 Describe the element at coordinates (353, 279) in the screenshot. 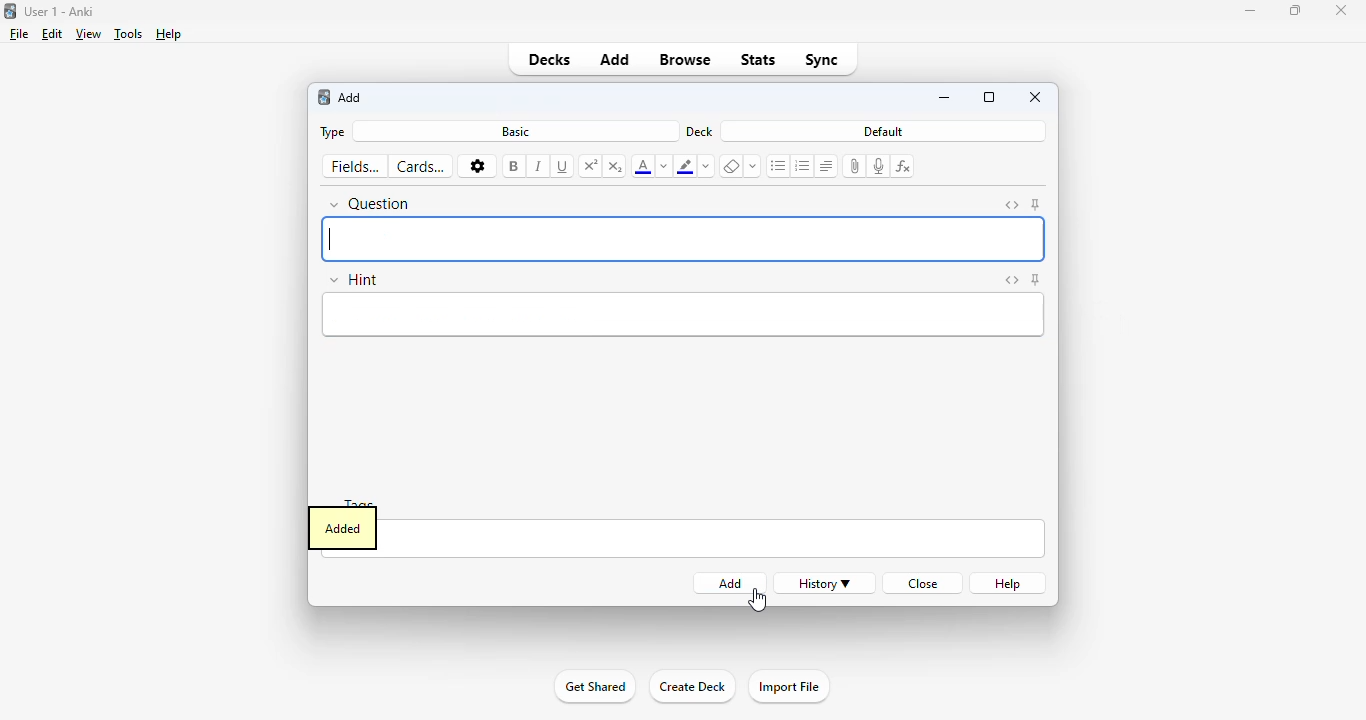

I see `hint` at that location.